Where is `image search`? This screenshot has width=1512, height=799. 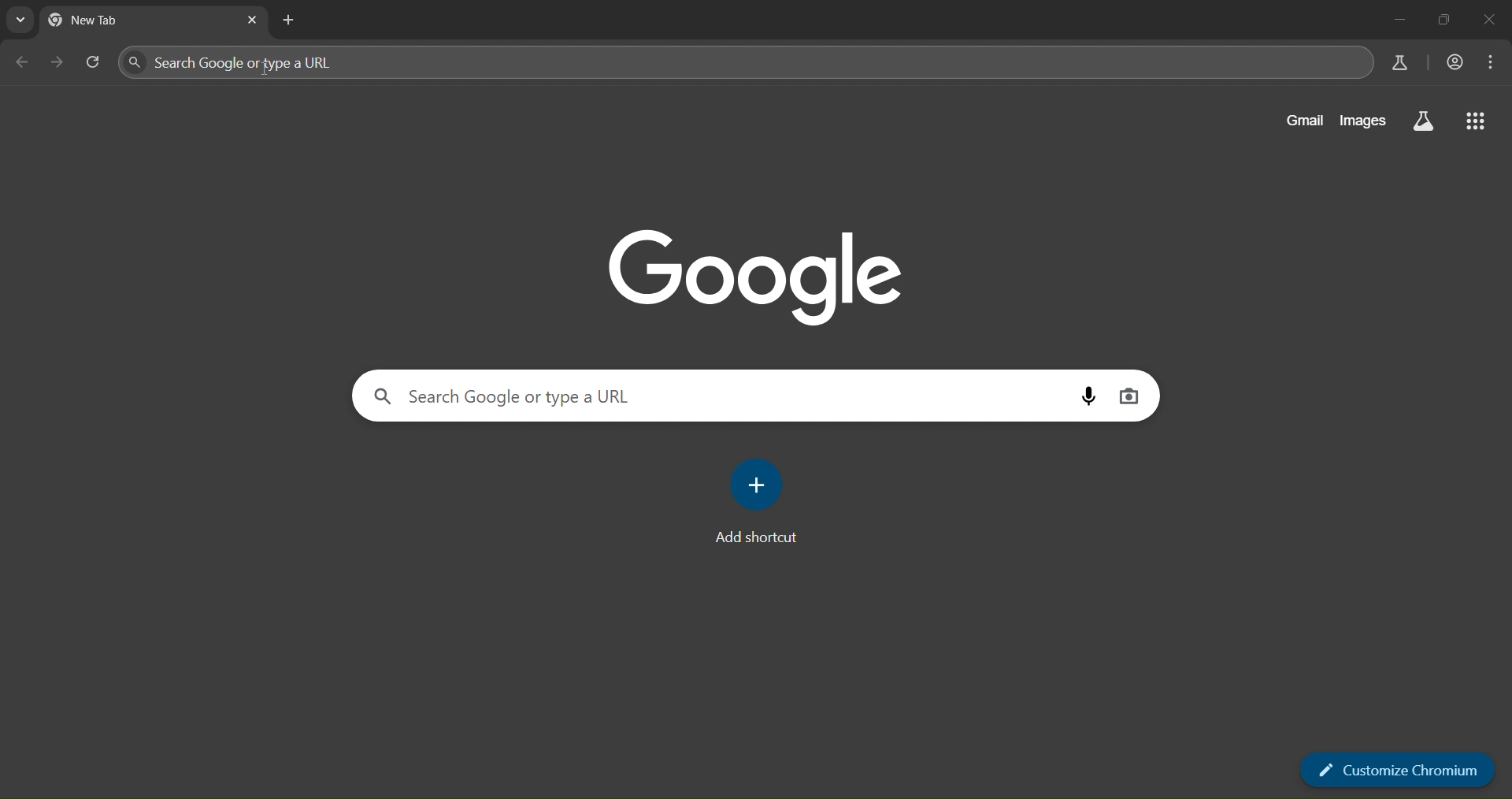 image search is located at coordinates (1130, 394).